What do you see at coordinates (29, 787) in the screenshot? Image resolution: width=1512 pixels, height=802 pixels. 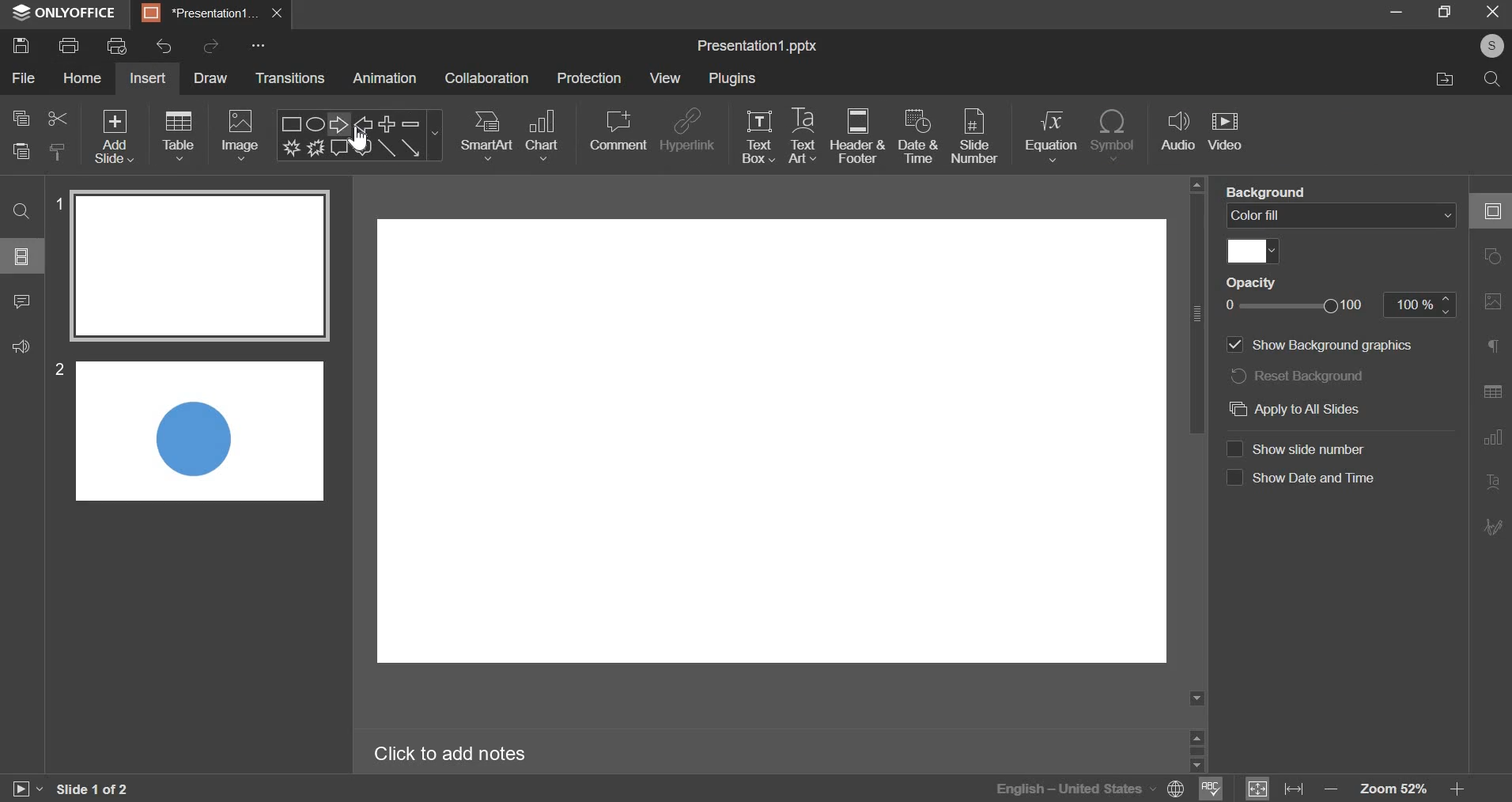 I see `start slideshow` at bounding box center [29, 787].